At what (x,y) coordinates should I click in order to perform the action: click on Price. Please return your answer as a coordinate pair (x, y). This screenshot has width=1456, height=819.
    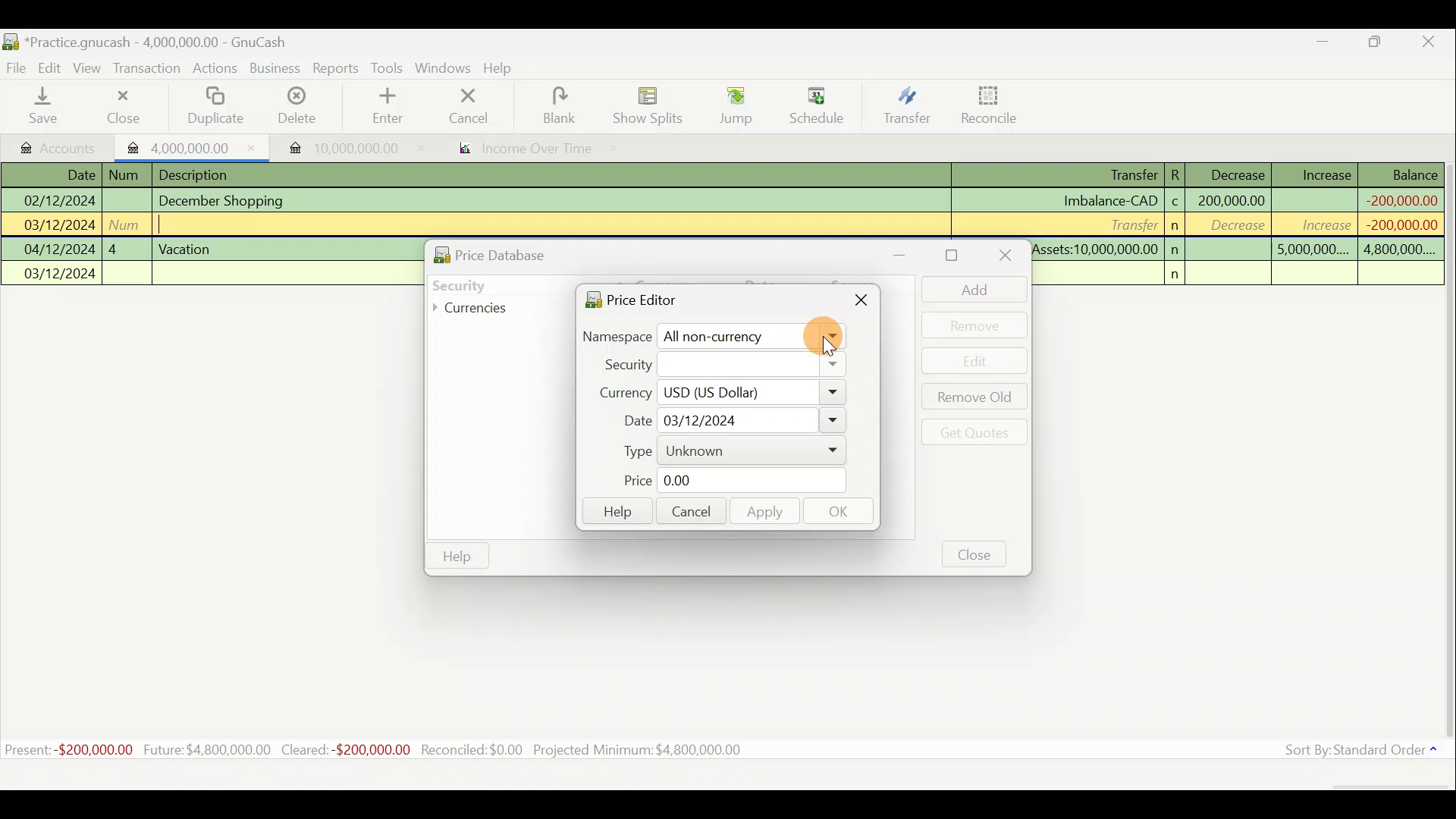
    Looking at the image, I should click on (724, 481).